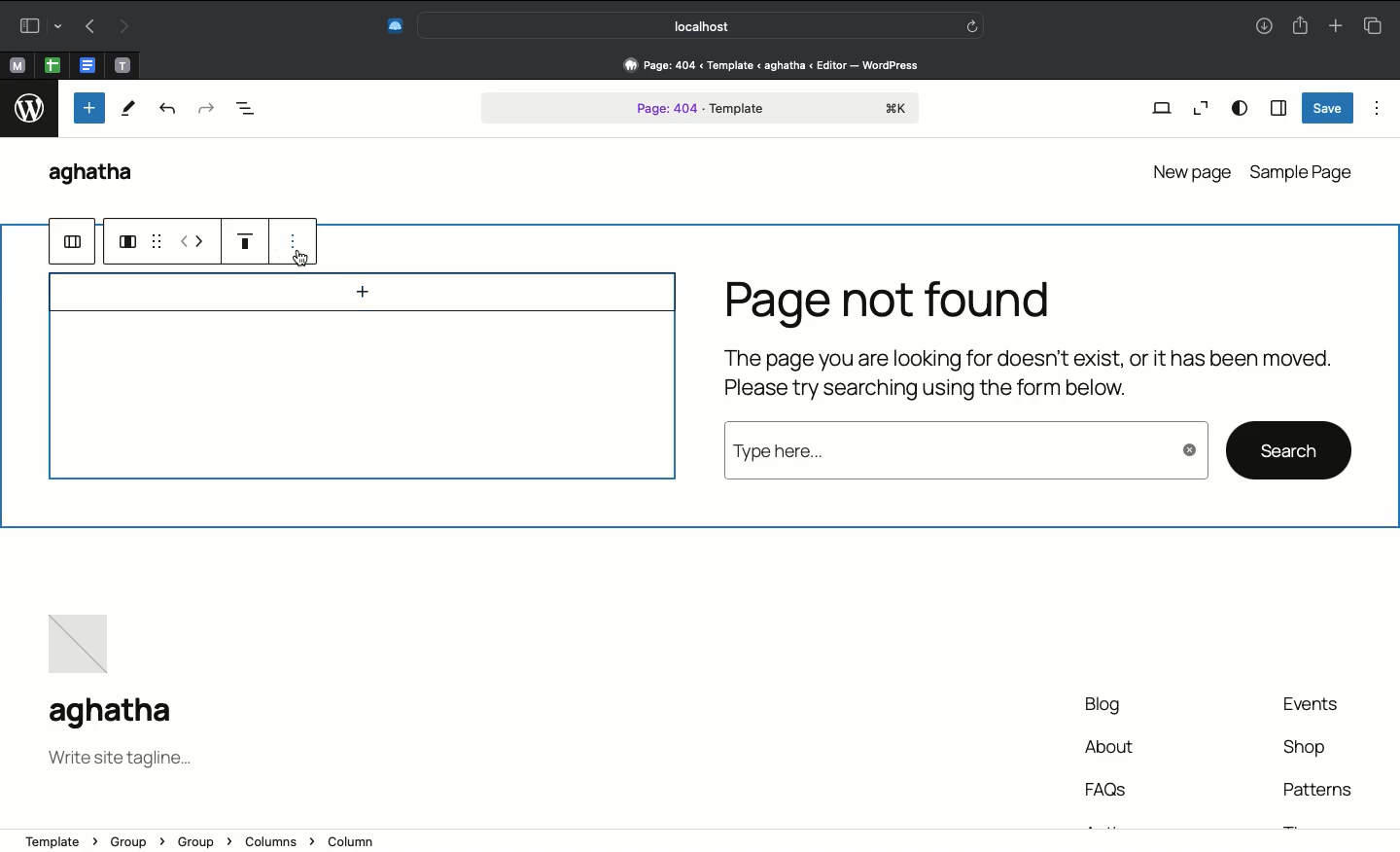 This screenshot has height=852, width=1400. What do you see at coordinates (1335, 22) in the screenshot?
I see `Add new tab` at bounding box center [1335, 22].